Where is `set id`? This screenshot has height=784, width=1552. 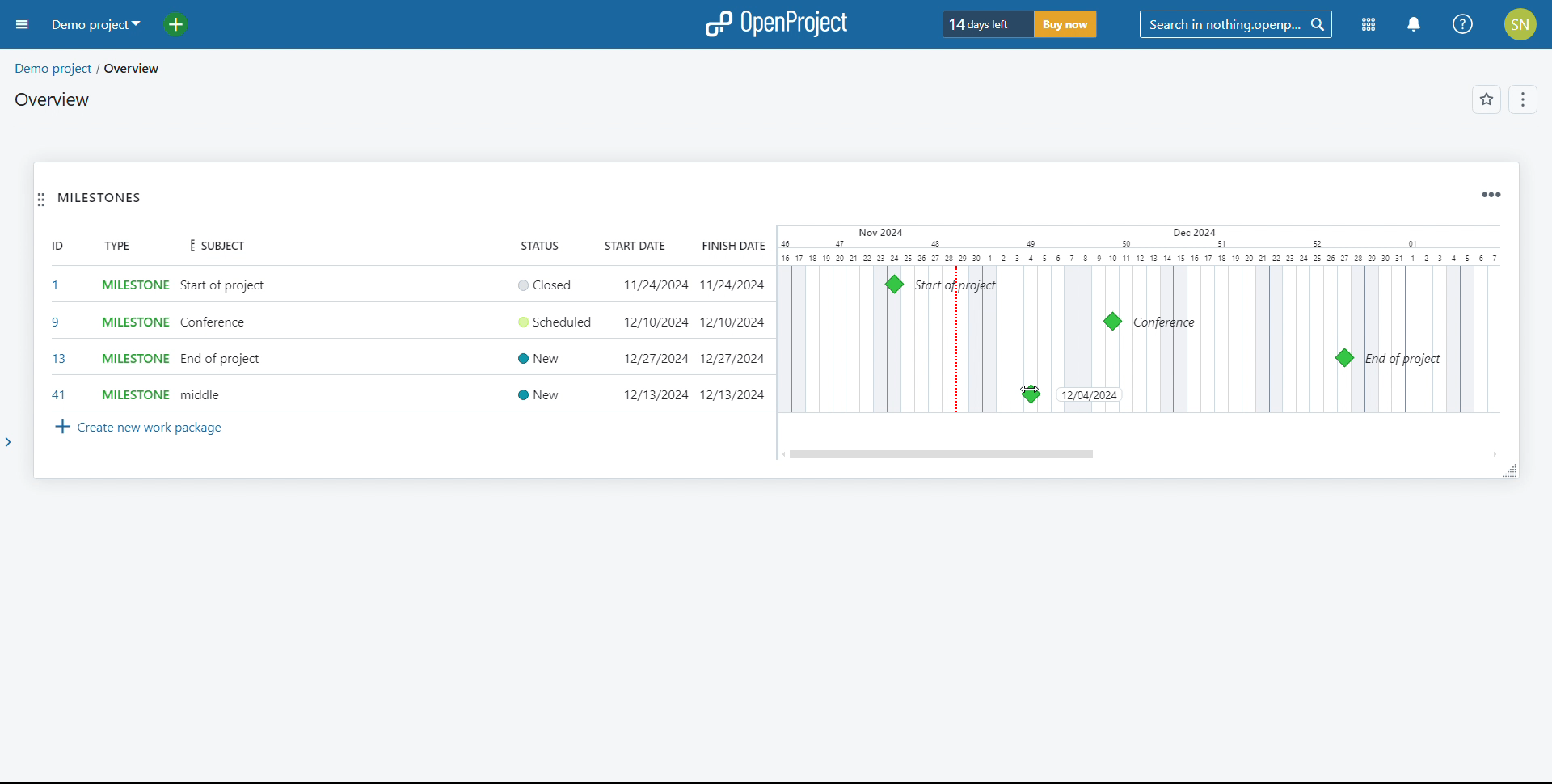
set id is located at coordinates (57, 339).